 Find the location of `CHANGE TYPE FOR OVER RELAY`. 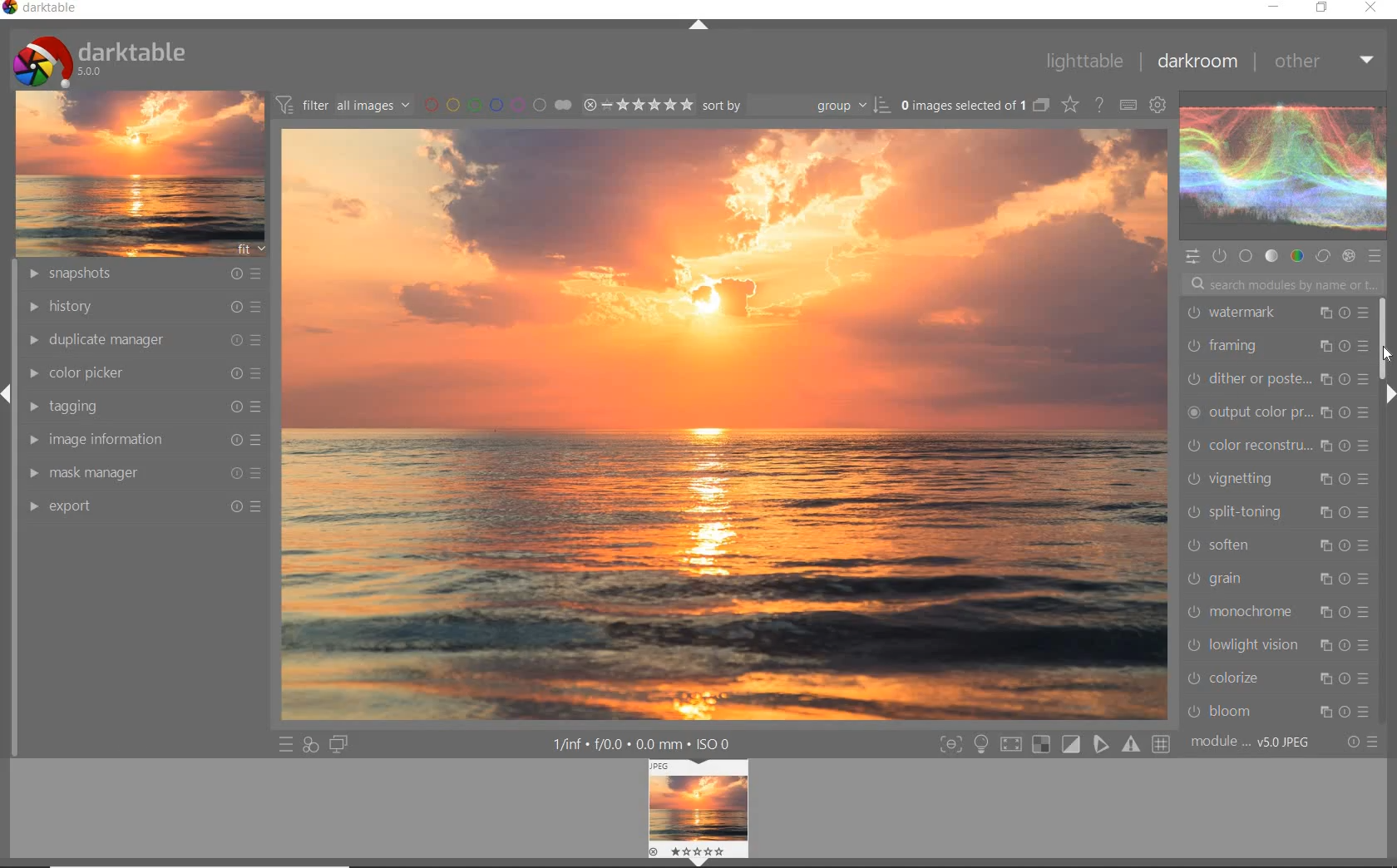

CHANGE TYPE FOR OVER RELAY is located at coordinates (1069, 104).